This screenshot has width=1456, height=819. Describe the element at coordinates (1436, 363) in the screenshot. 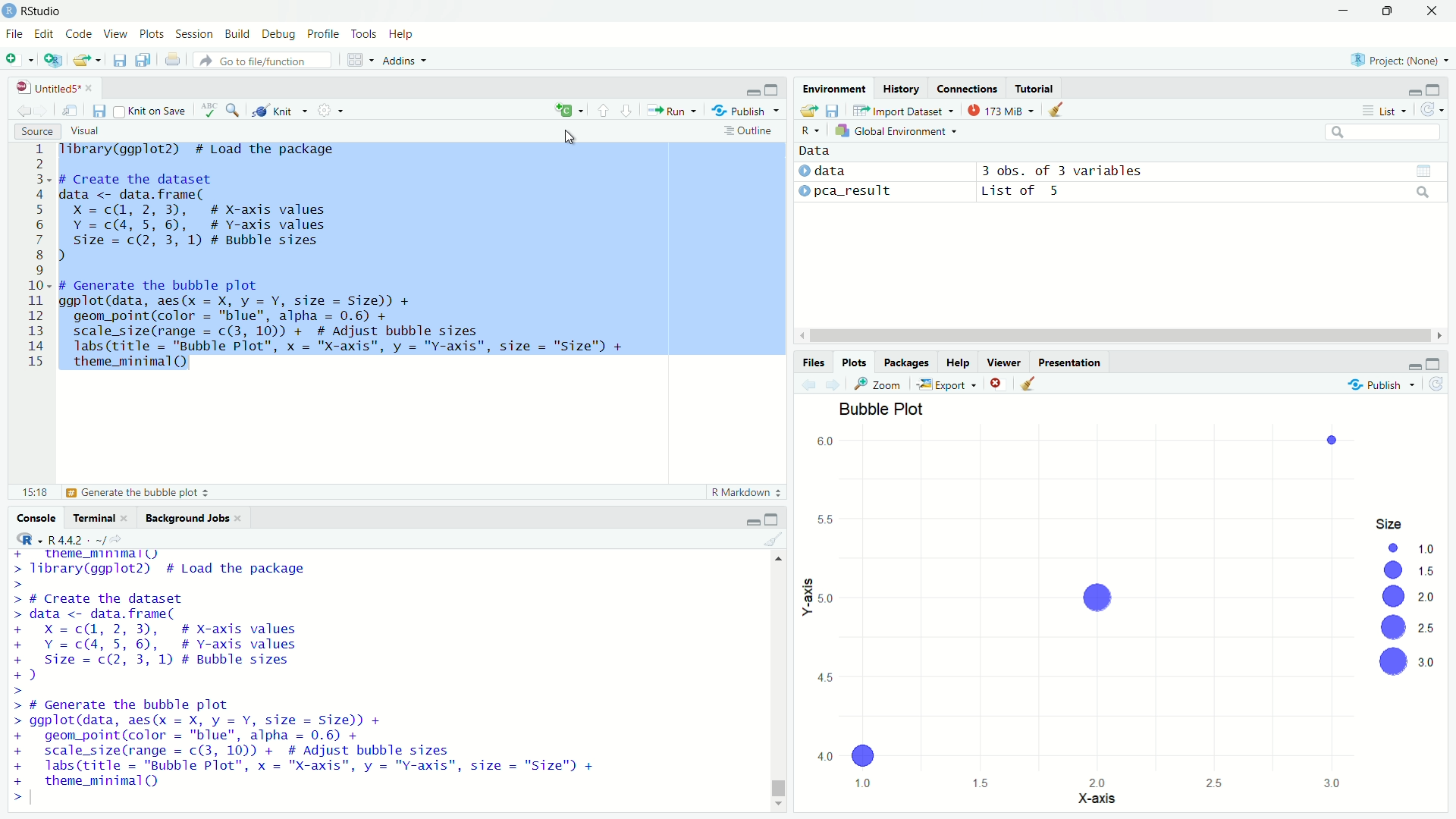

I see `maximize` at that location.